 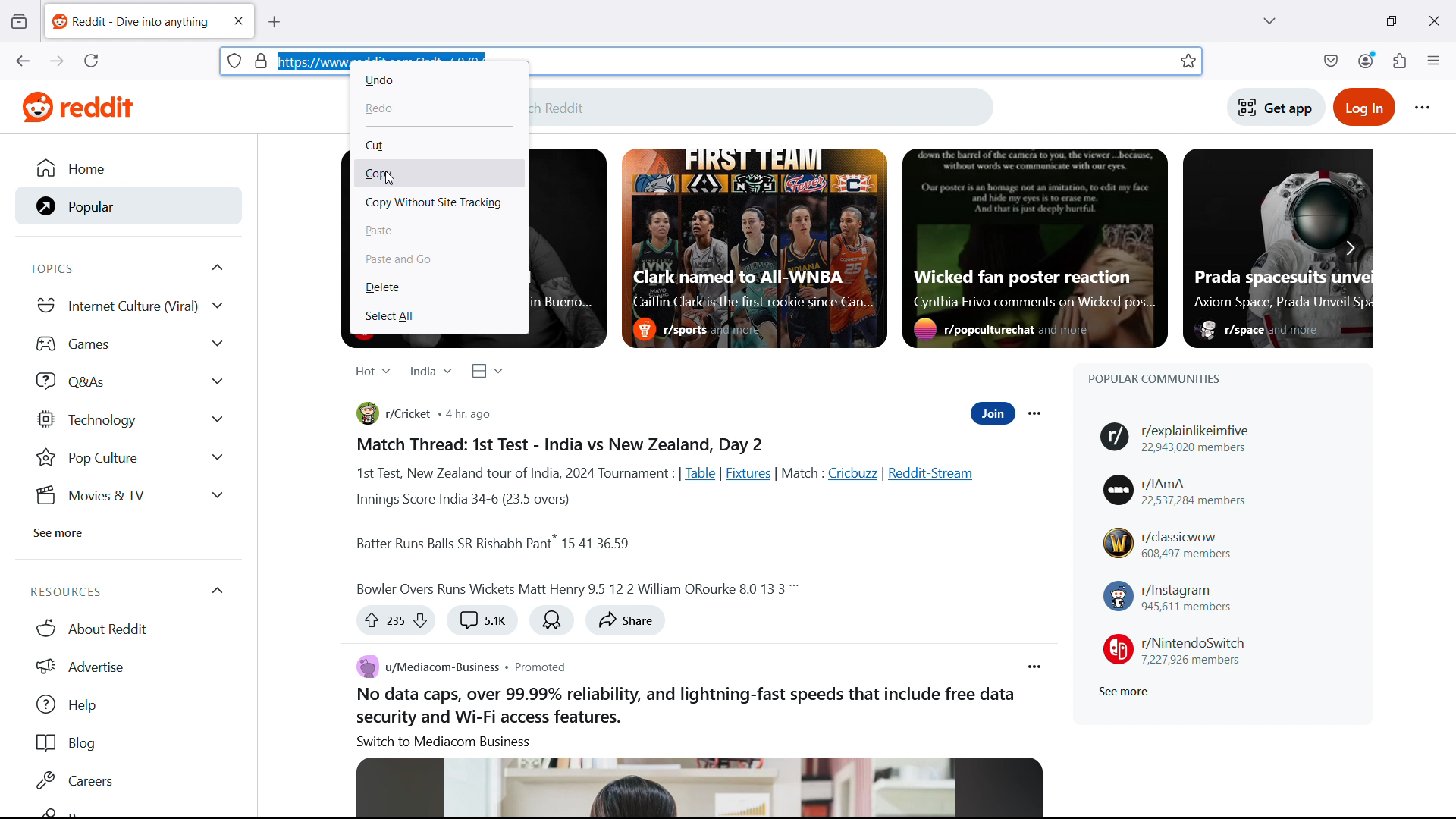 What do you see at coordinates (1036, 413) in the screenshot?
I see `Post options` at bounding box center [1036, 413].